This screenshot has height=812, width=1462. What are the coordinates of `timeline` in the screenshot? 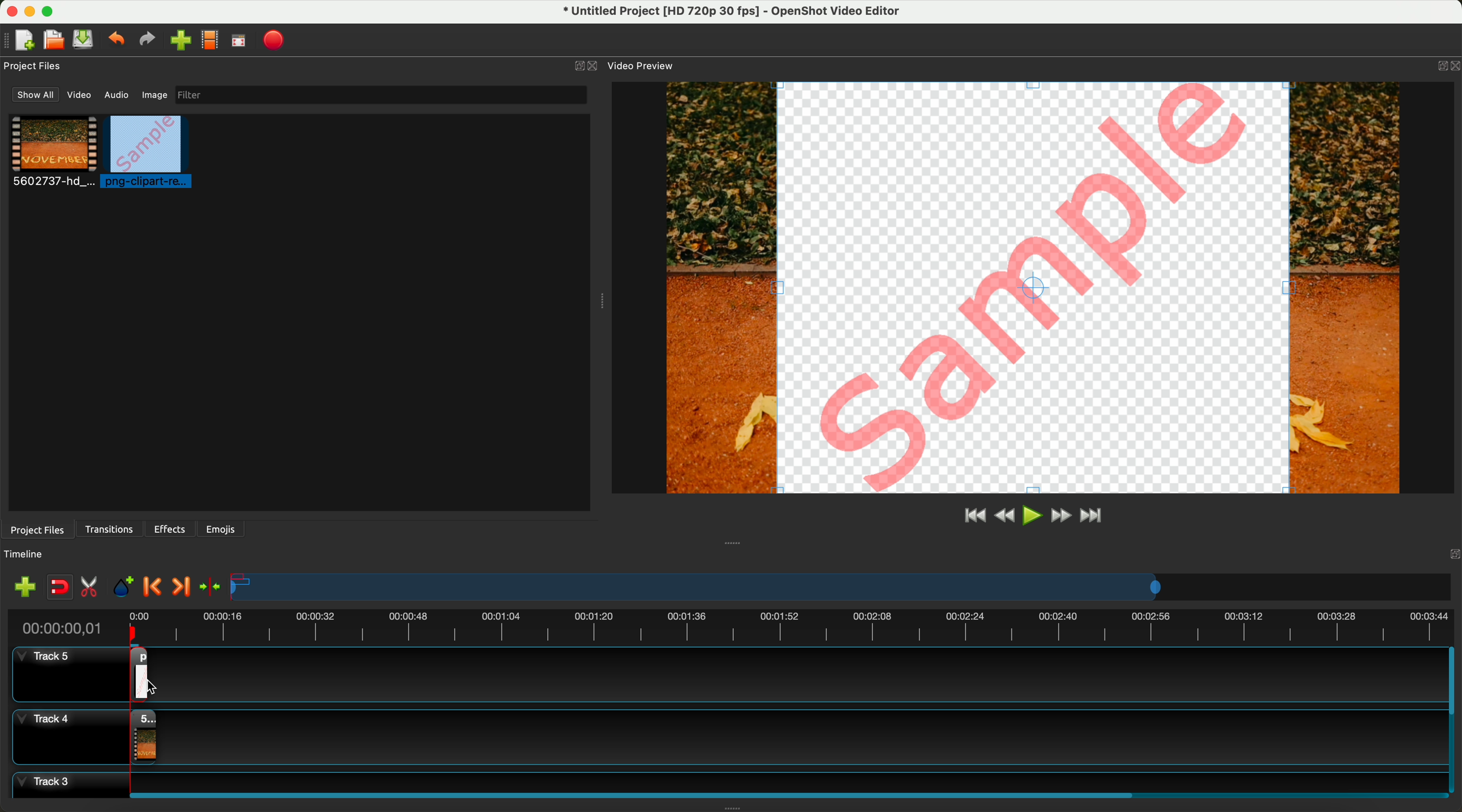 It's located at (842, 588).